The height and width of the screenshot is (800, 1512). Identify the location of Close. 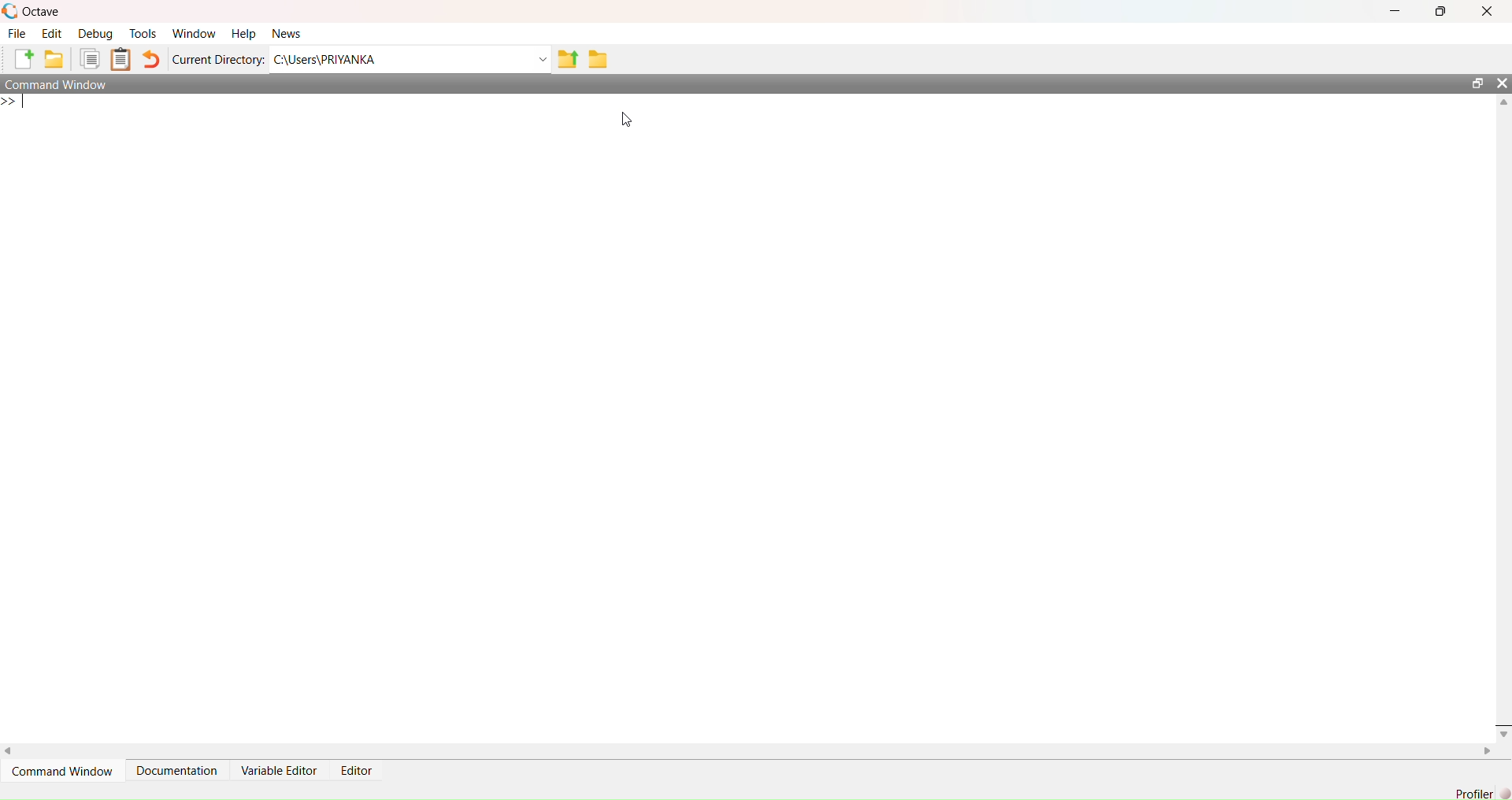
(1503, 82).